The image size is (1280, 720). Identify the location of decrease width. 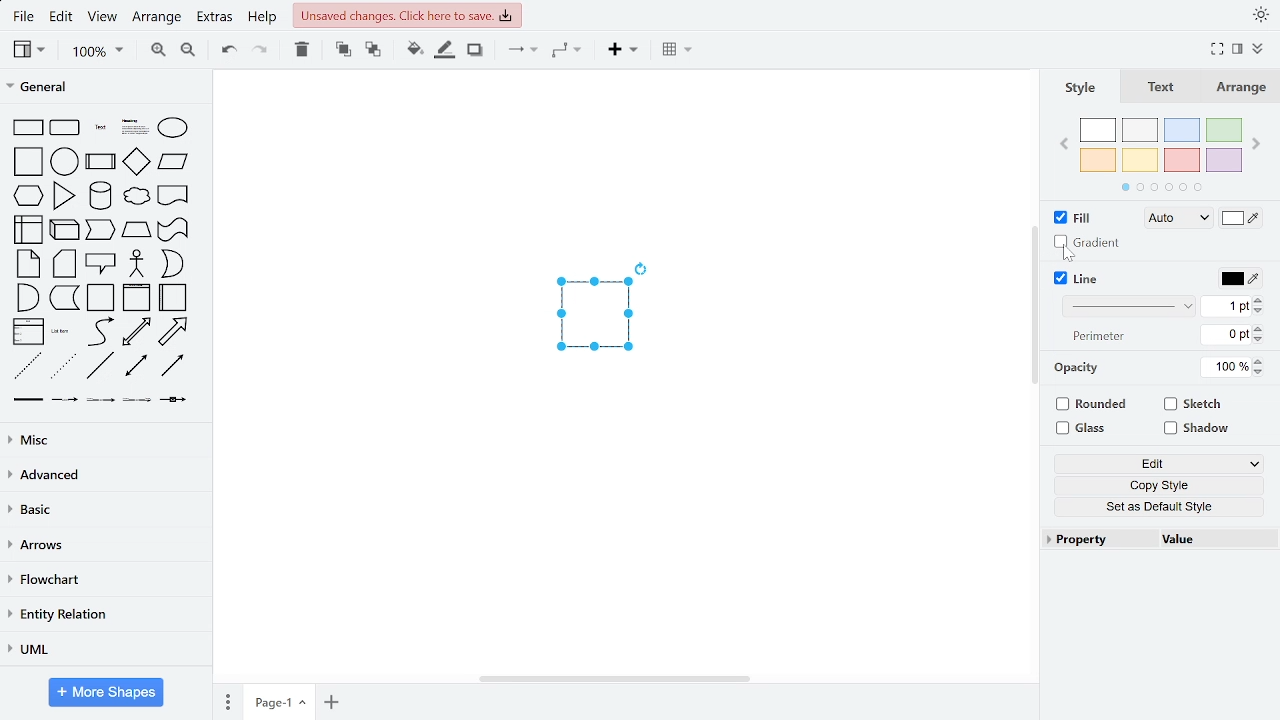
(1261, 340).